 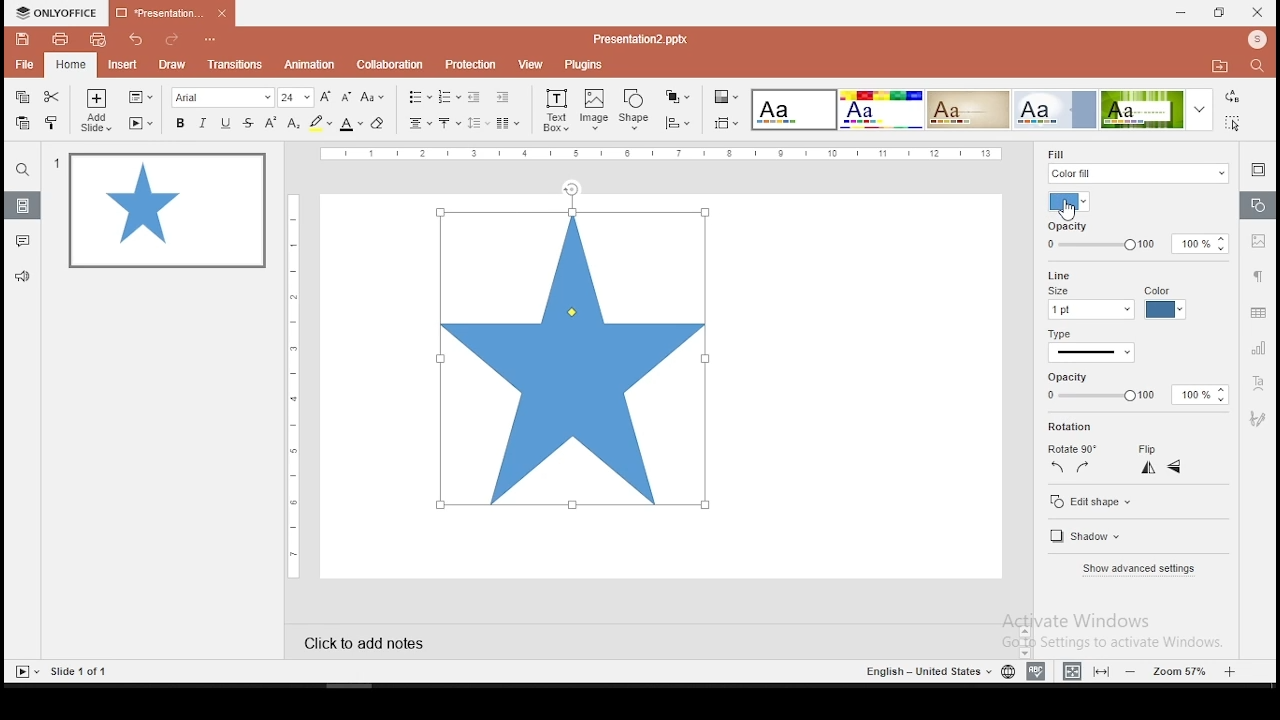 What do you see at coordinates (293, 123) in the screenshot?
I see `subscript` at bounding box center [293, 123].